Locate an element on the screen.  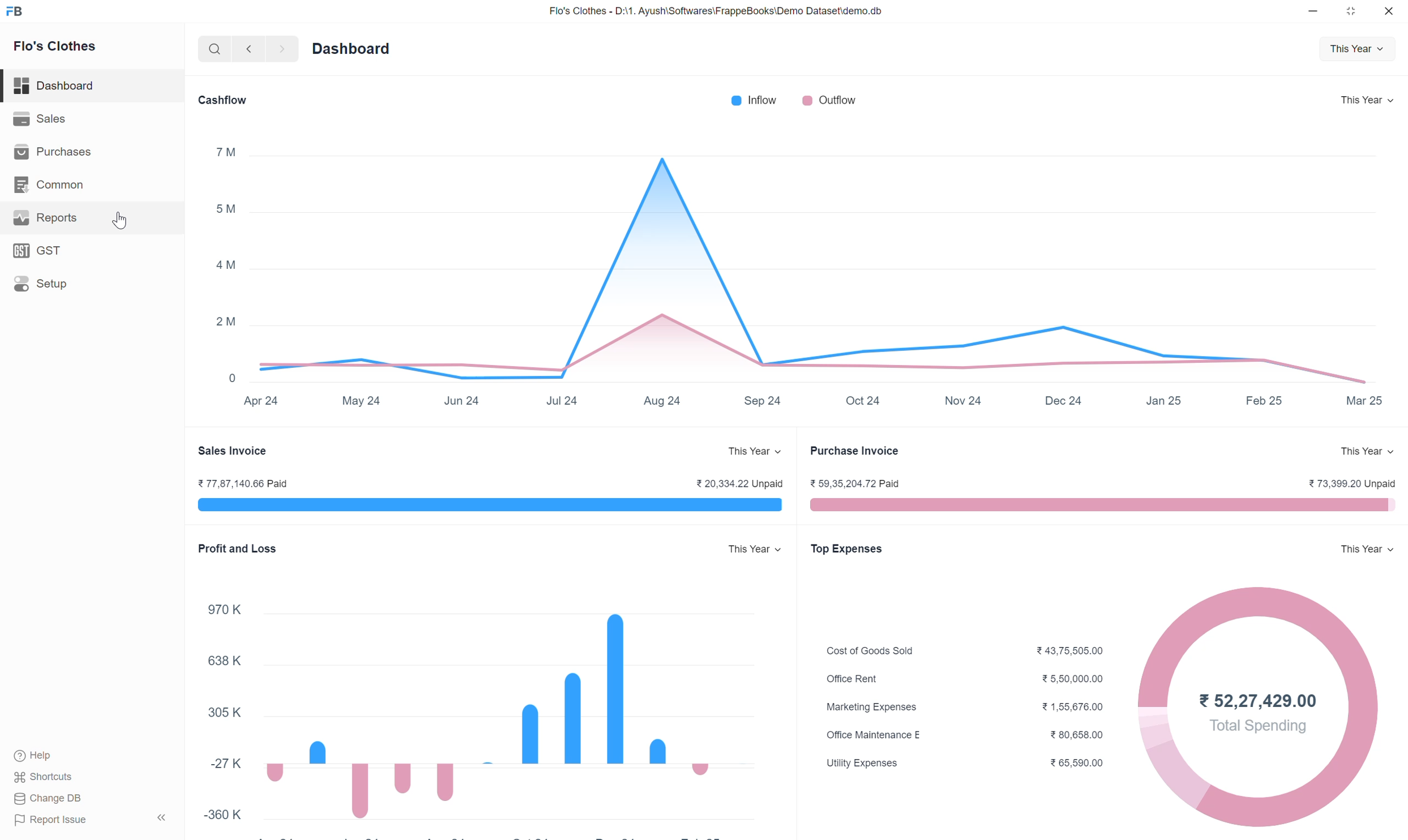
FB is located at coordinates (25, 12).